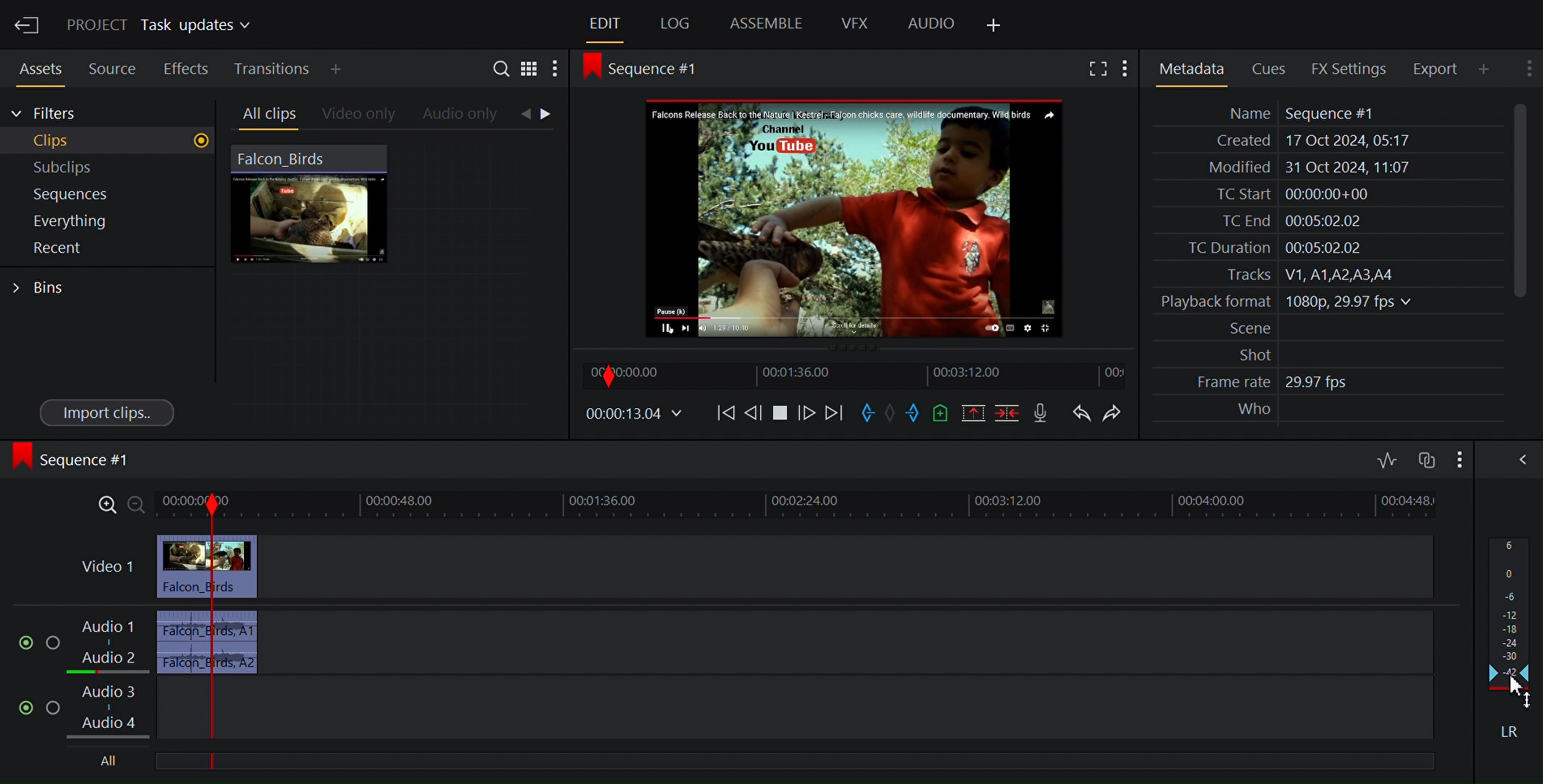 Image resolution: width=1543 pixels, height=784 pixels. What do you see at coordinates (866, 413) in the screenshot?
I see `Mark in` at bounding box center [866, 413].